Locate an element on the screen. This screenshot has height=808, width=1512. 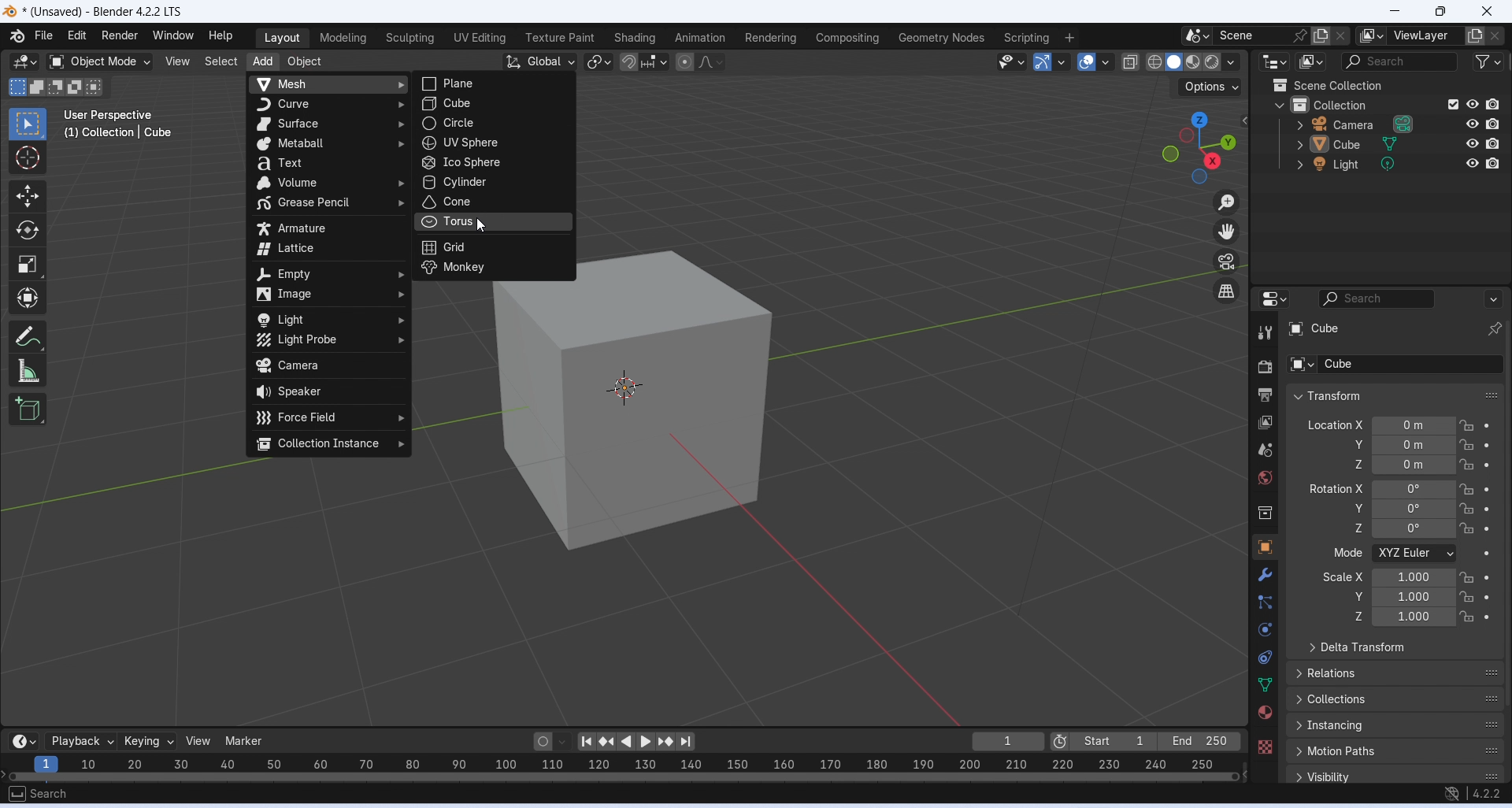
uv sphere is located at coordinates (484, 143).